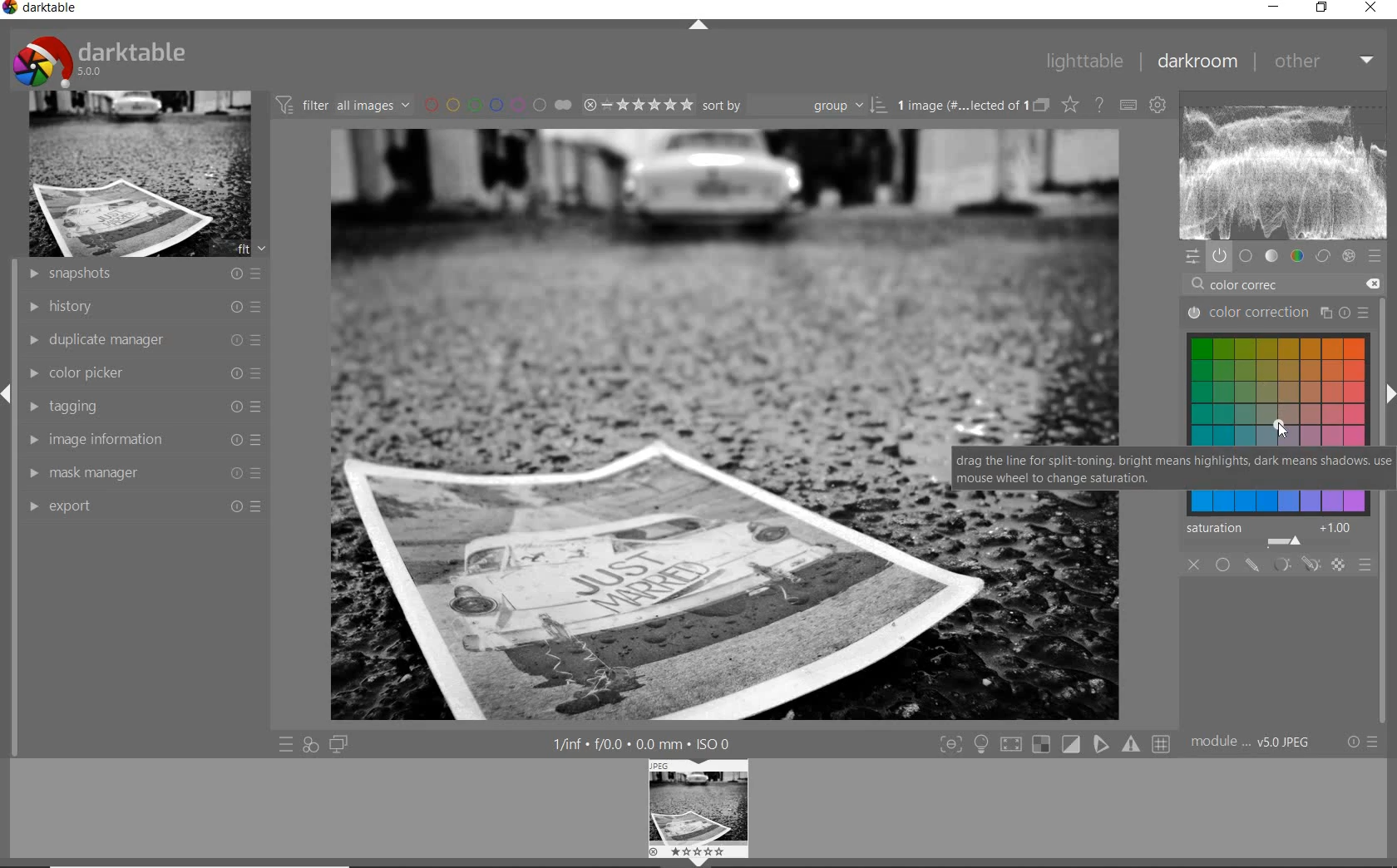  What do you see at coordinates (1348, 256) in the screenshot?
I see `effect` at bounding box center [1348, 256].